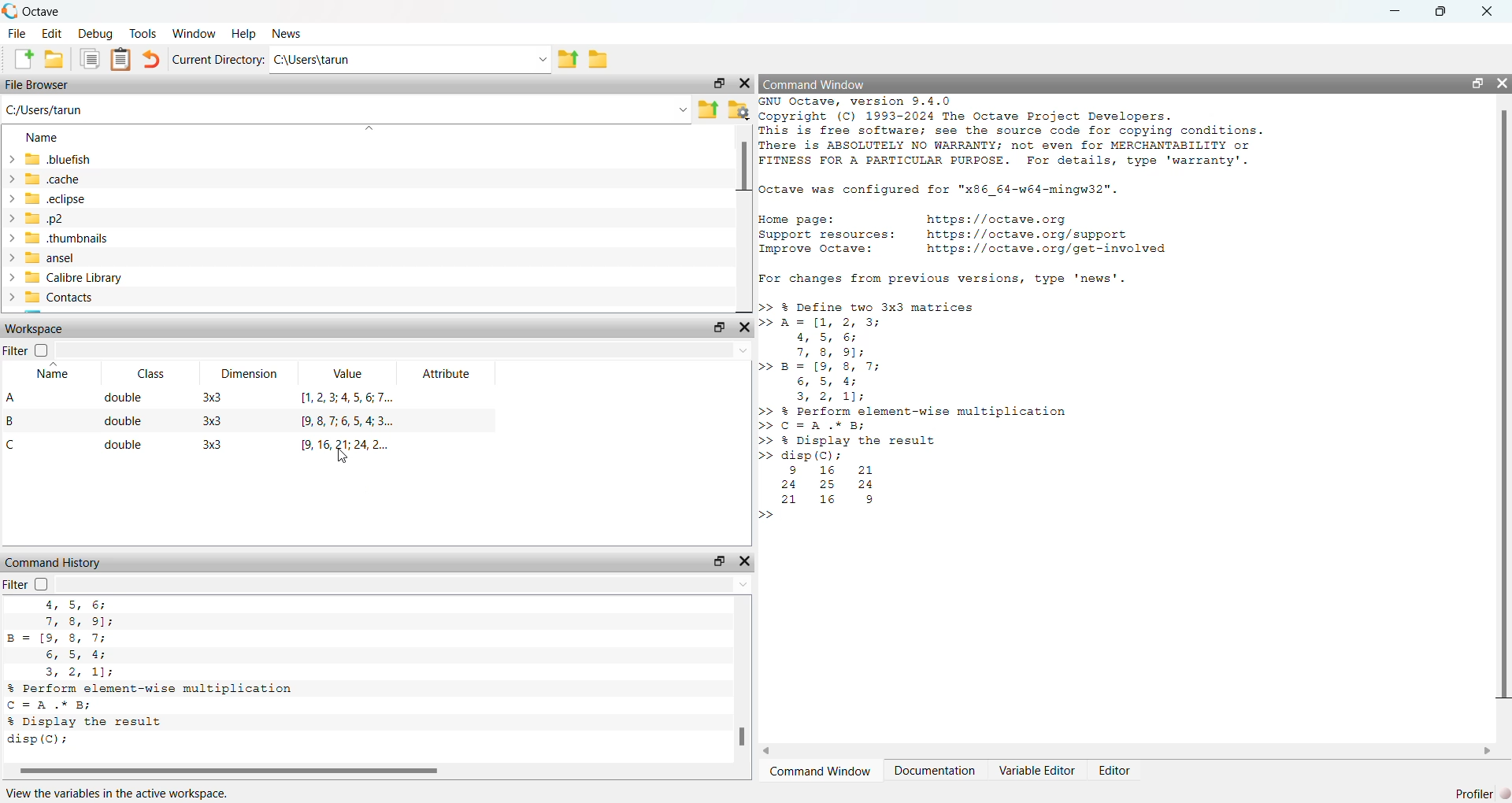 The height and width of the screenshot is (803, 1512). What do you see at coordinates (40, 258) in the screenshot?
I see `ansel` at bounding box center [40, 258].